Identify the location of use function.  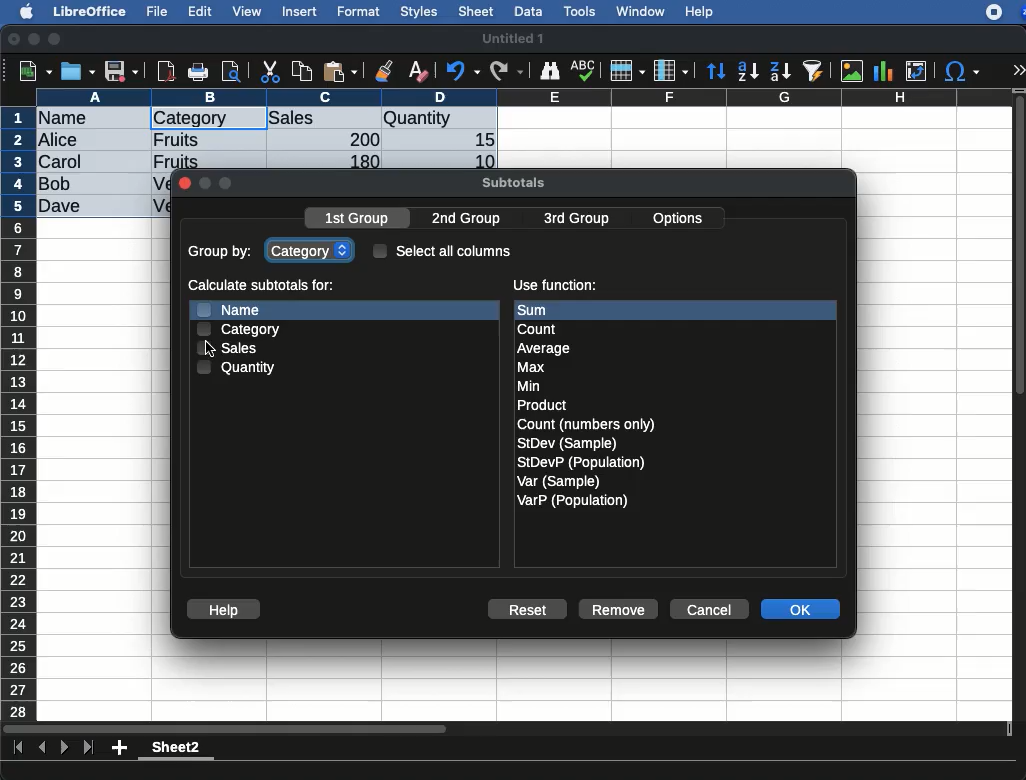
(554, 286).